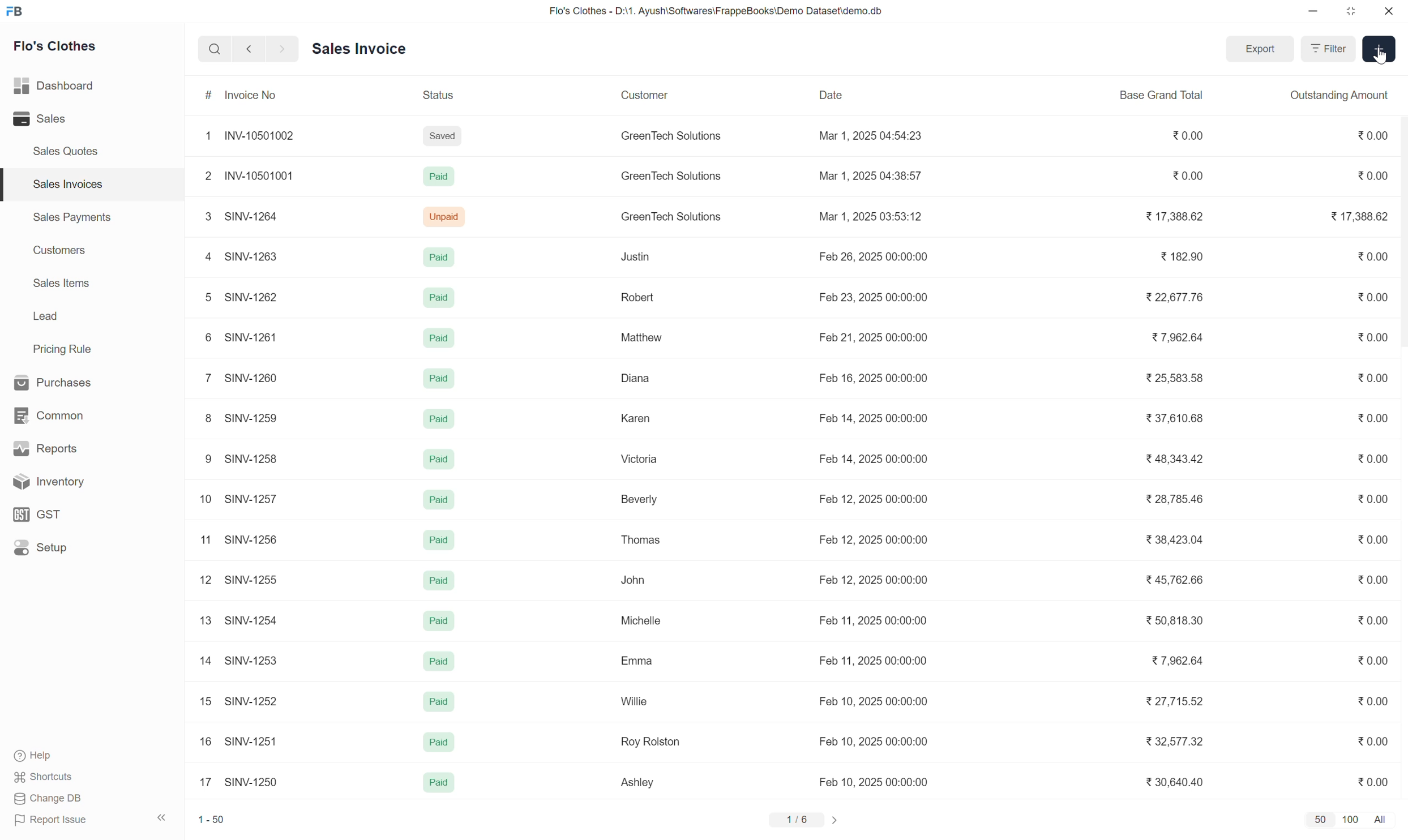  I want to click on 16, so click(202, 743).